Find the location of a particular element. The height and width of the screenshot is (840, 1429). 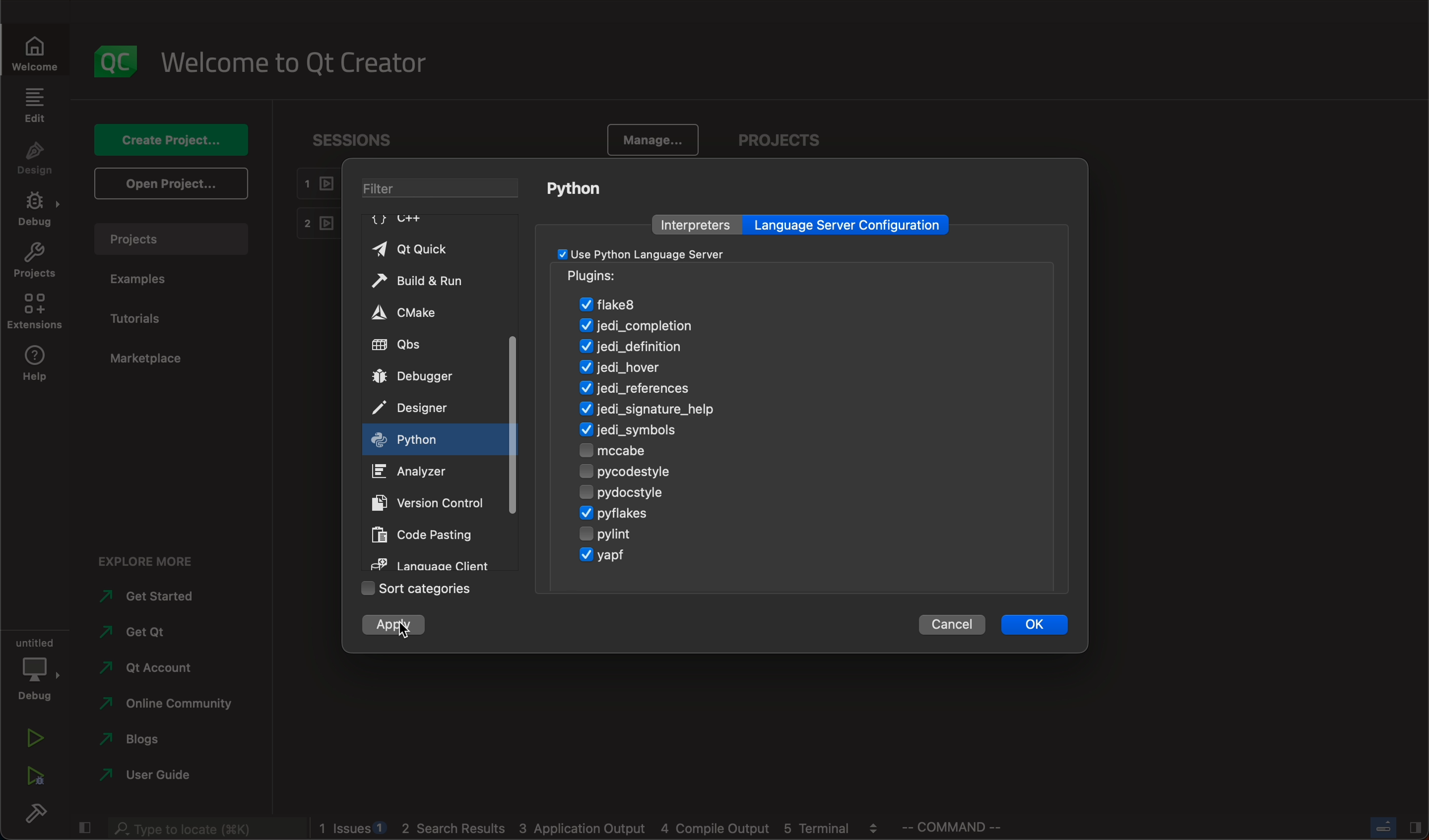

qt is located at coordinates (145, 630).